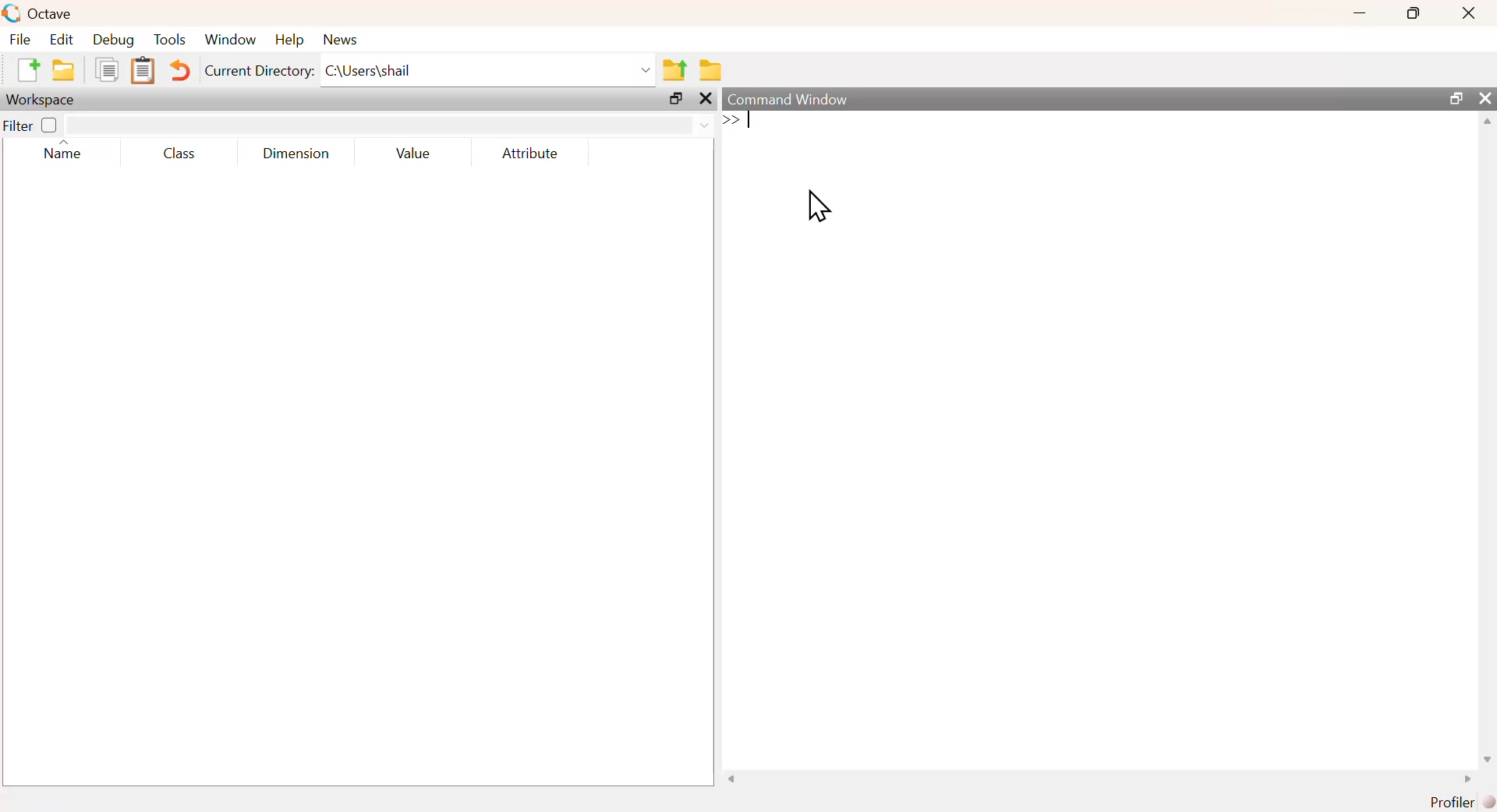 This screenshot has height=812, width=1497. I want to click on Filter, so click(34, 125).